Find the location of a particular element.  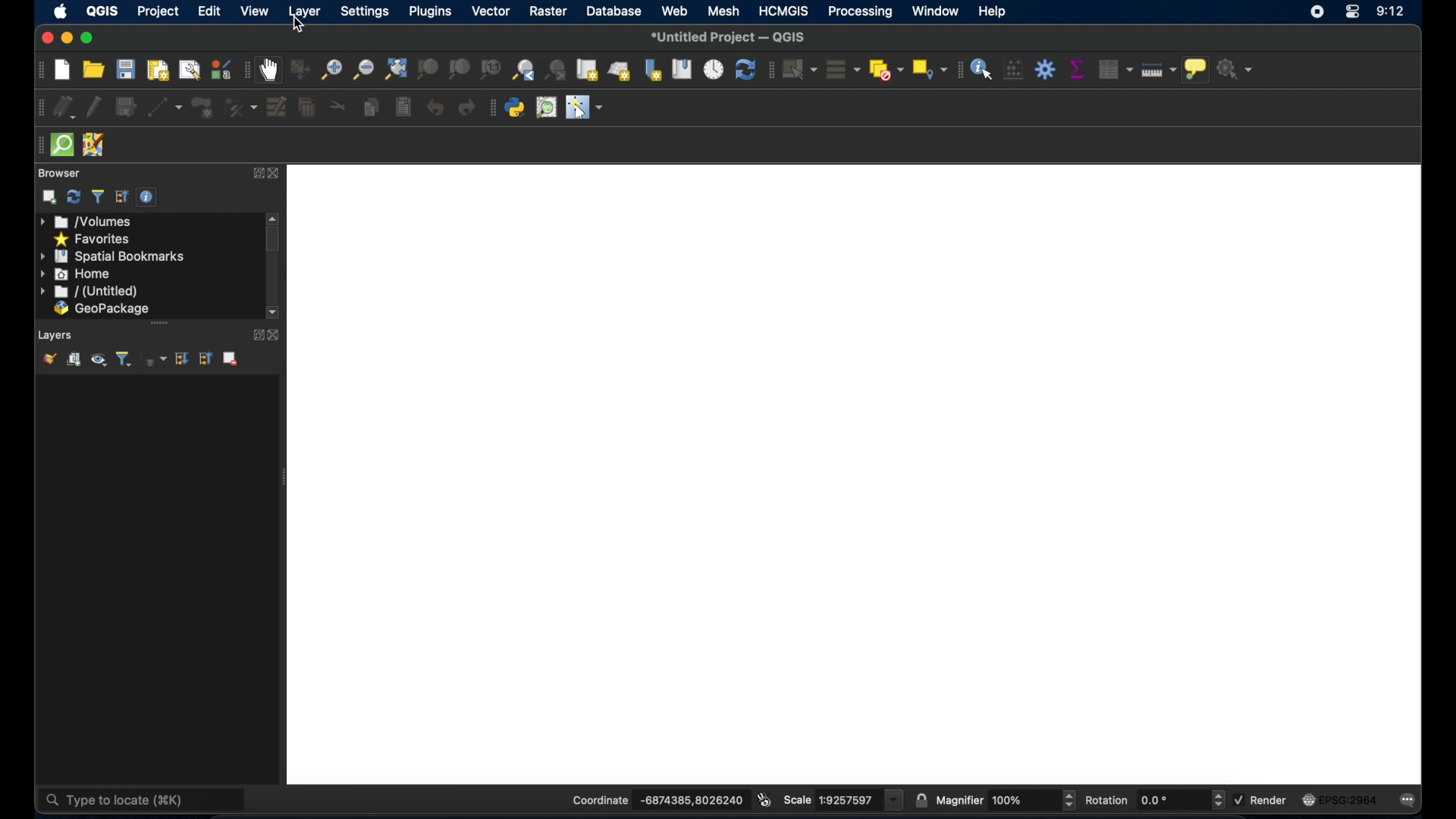

vector is located at coordinates (490, 11).